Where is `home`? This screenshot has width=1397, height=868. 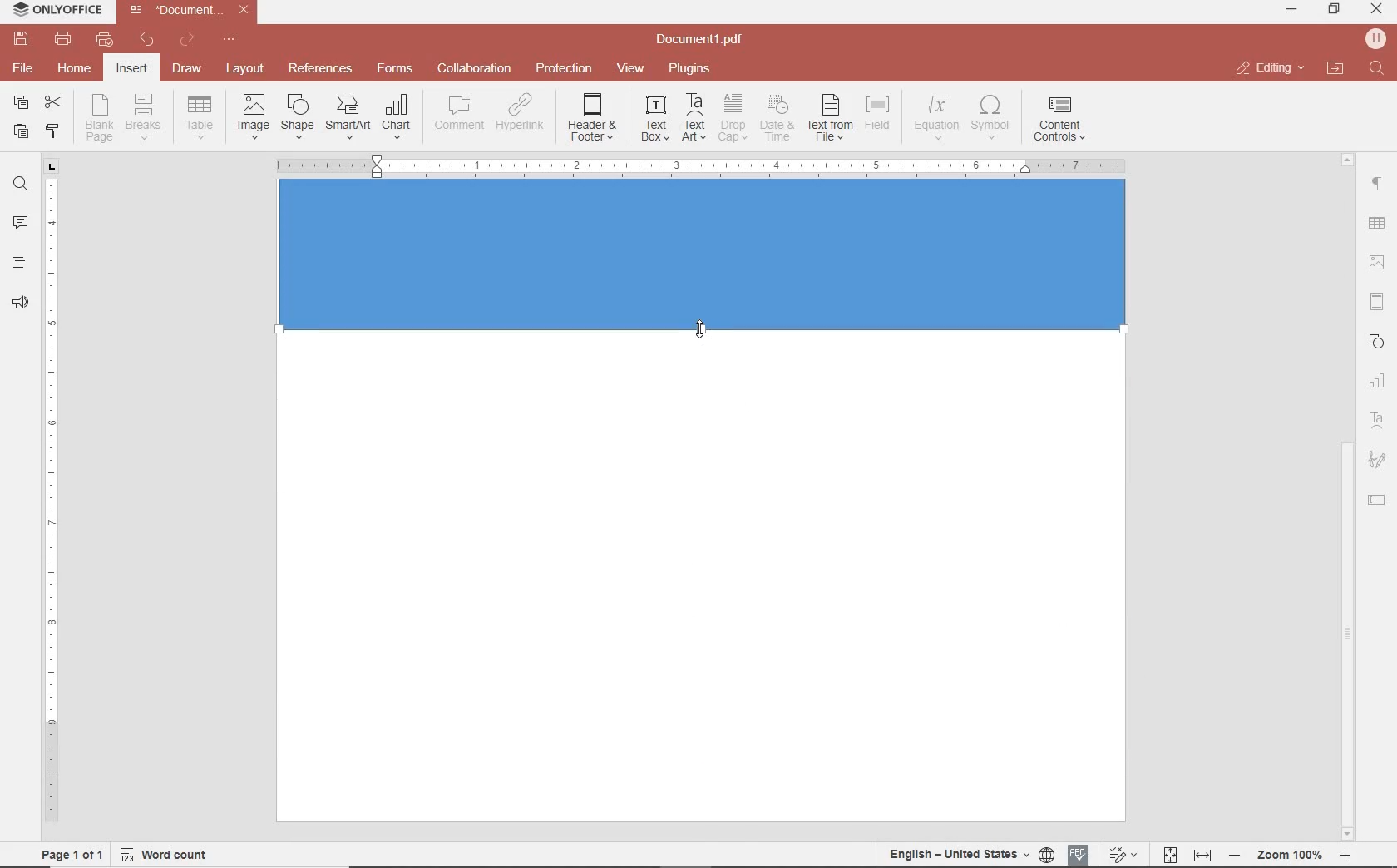
home is located at coordinates (72, 67).